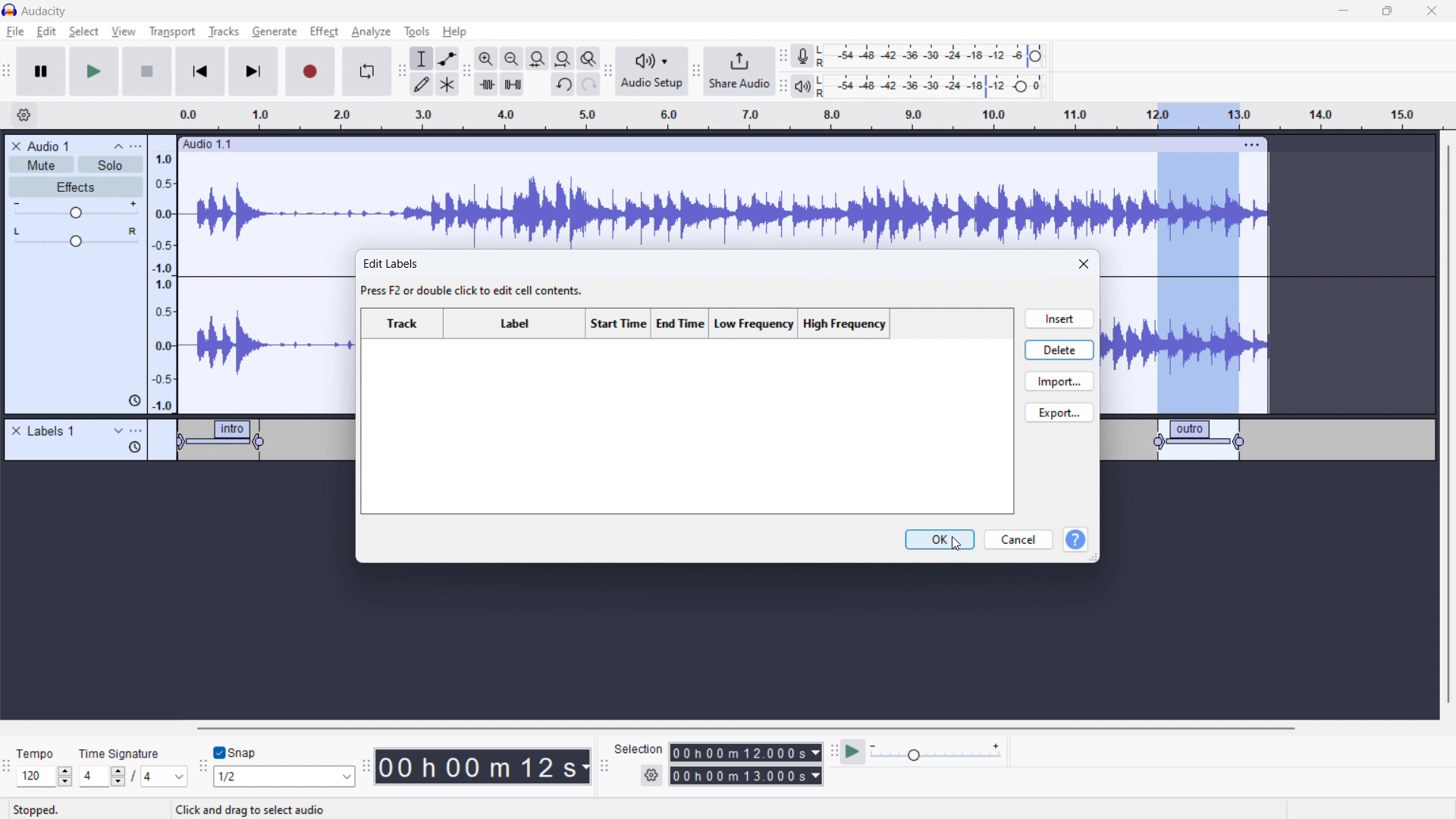 The height and width of the screenshot is (819, 1456). What do you see at coordinates (16, 146) in the screenshot?
I see `remove track` at bounding box center [16, 146].